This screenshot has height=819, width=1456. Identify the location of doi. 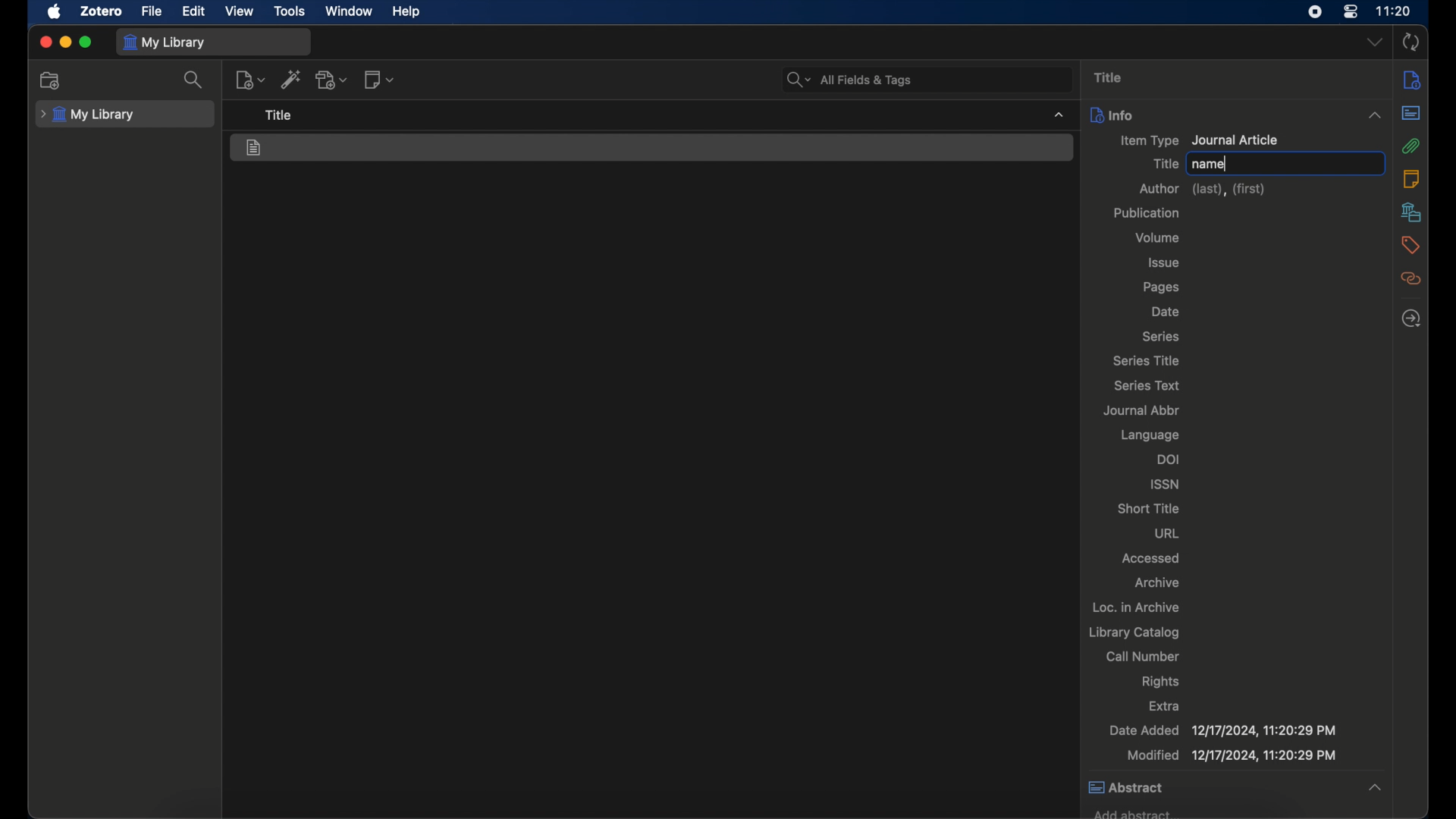
(1169, 459).